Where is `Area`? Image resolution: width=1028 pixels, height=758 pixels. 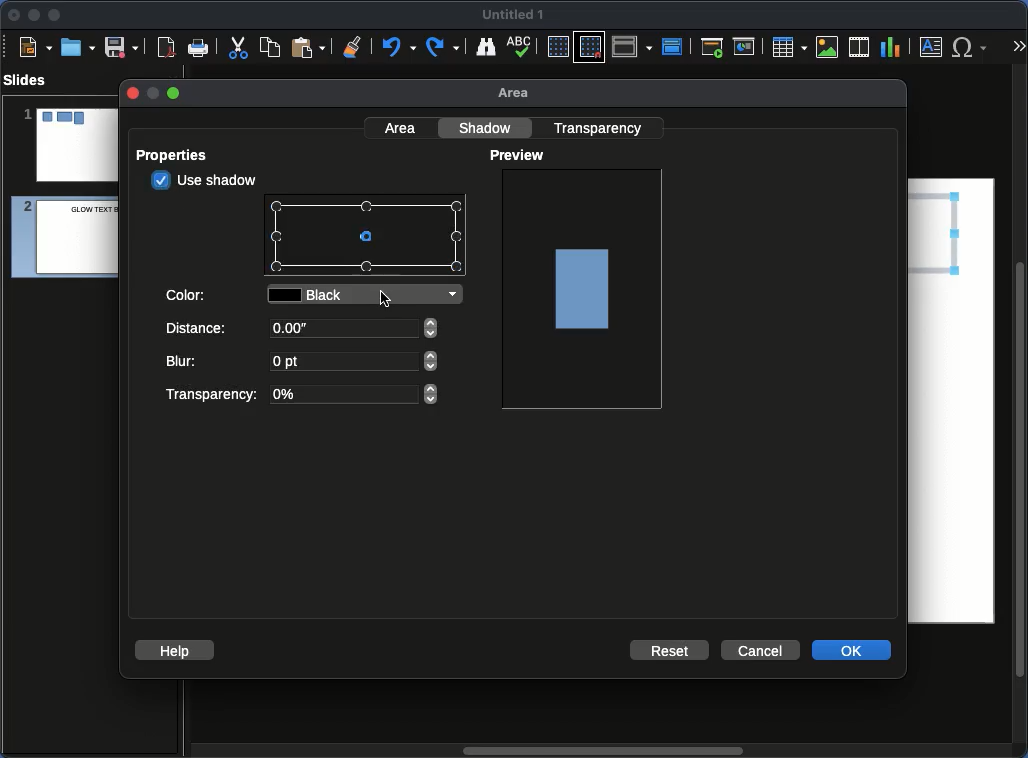
Area is located at coordinates (519, 94).